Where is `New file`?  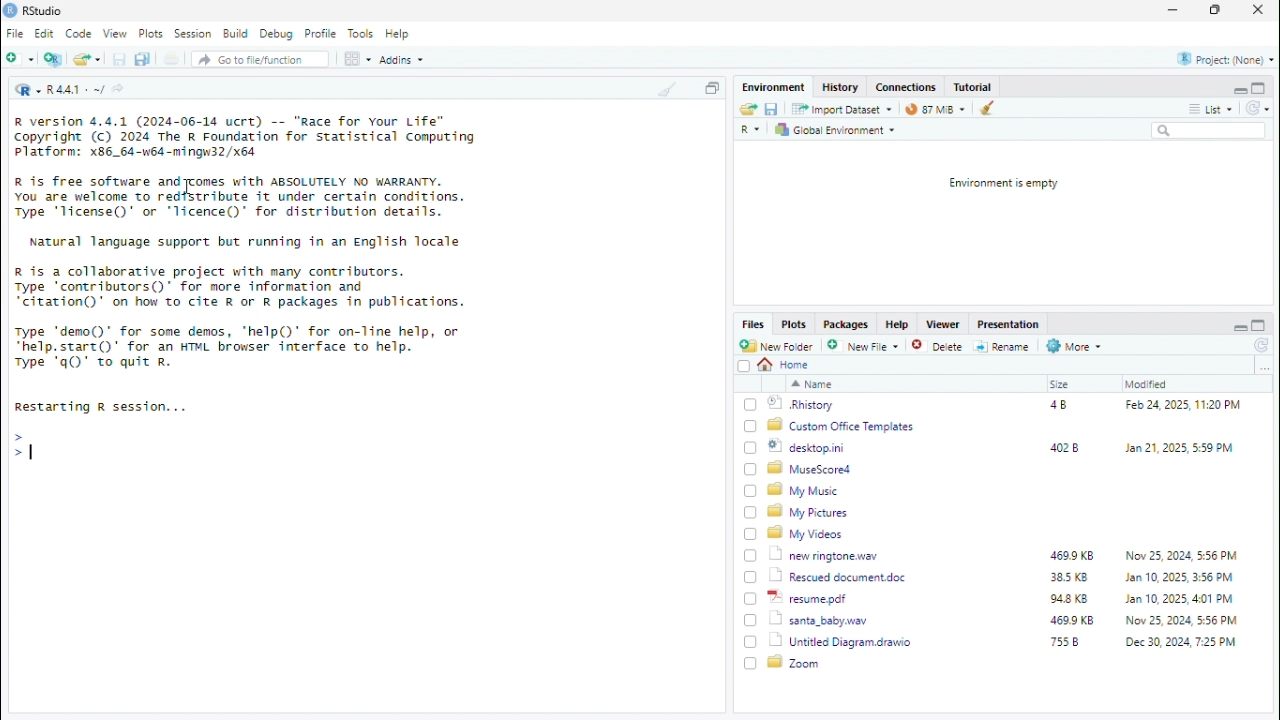
New file is located at coordinates (54, 58).